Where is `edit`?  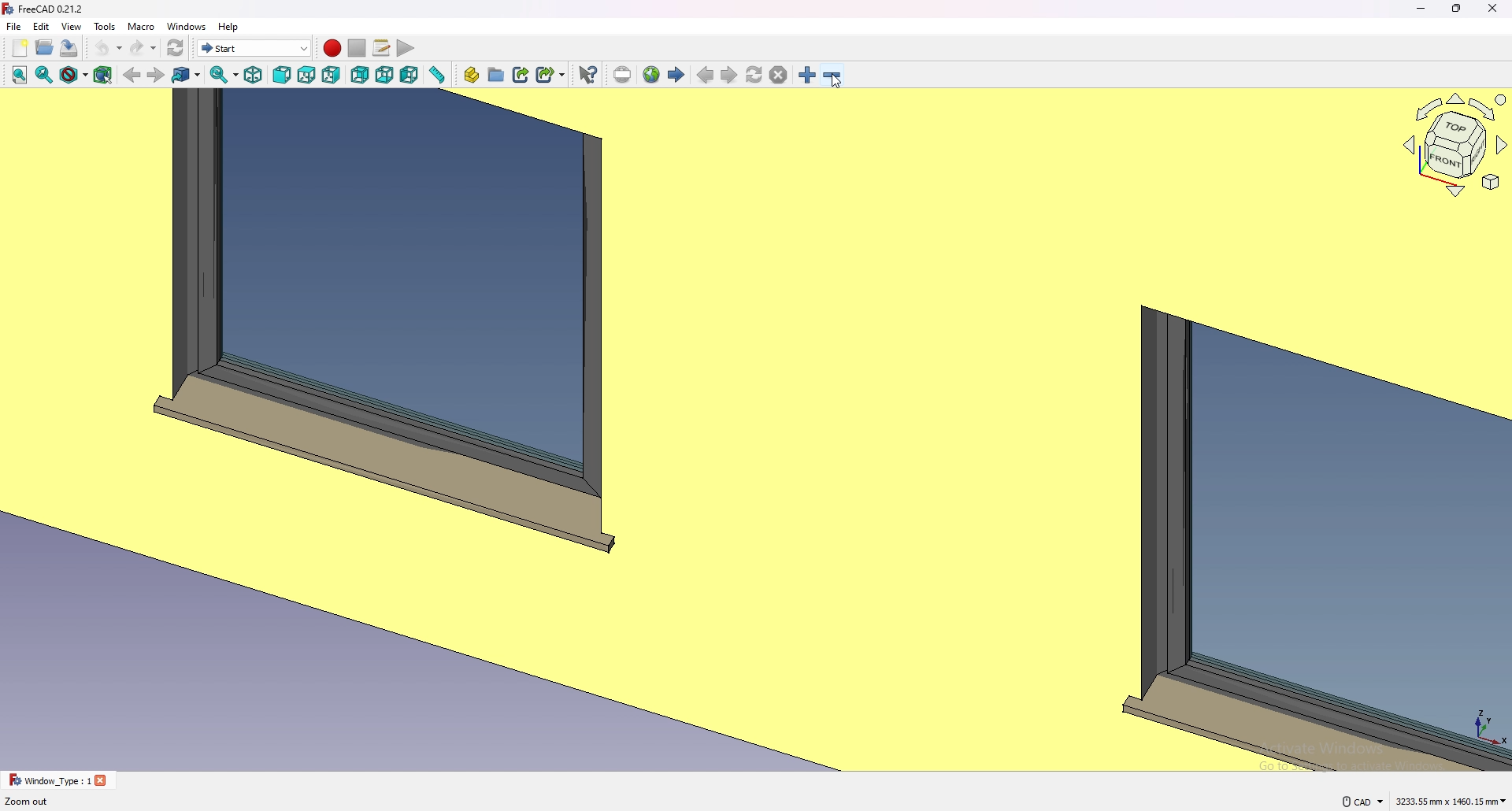
edit is located at coordinates (43, 26).